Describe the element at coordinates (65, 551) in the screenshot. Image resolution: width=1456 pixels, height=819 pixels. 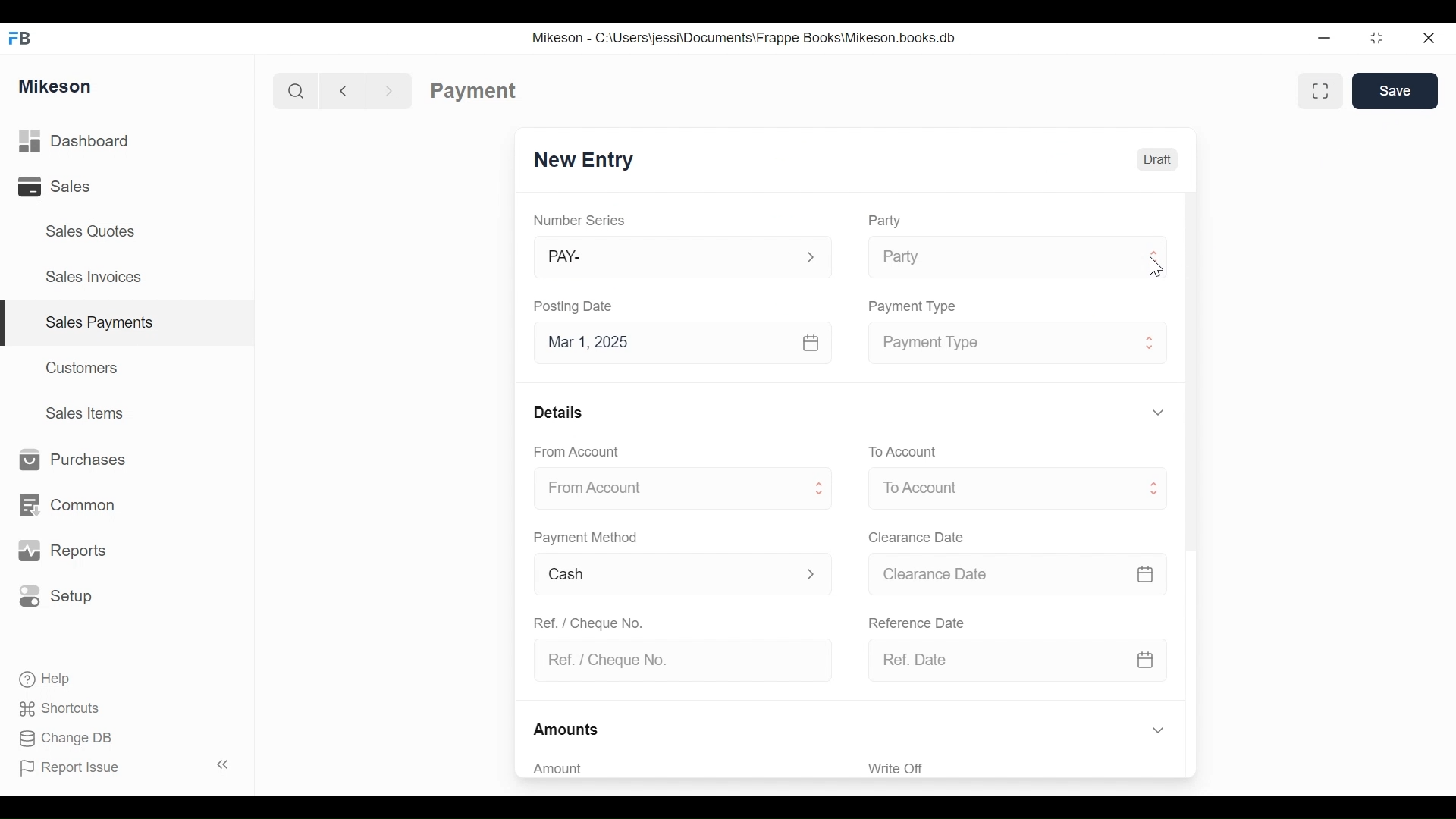
I see `Reports` at that location.